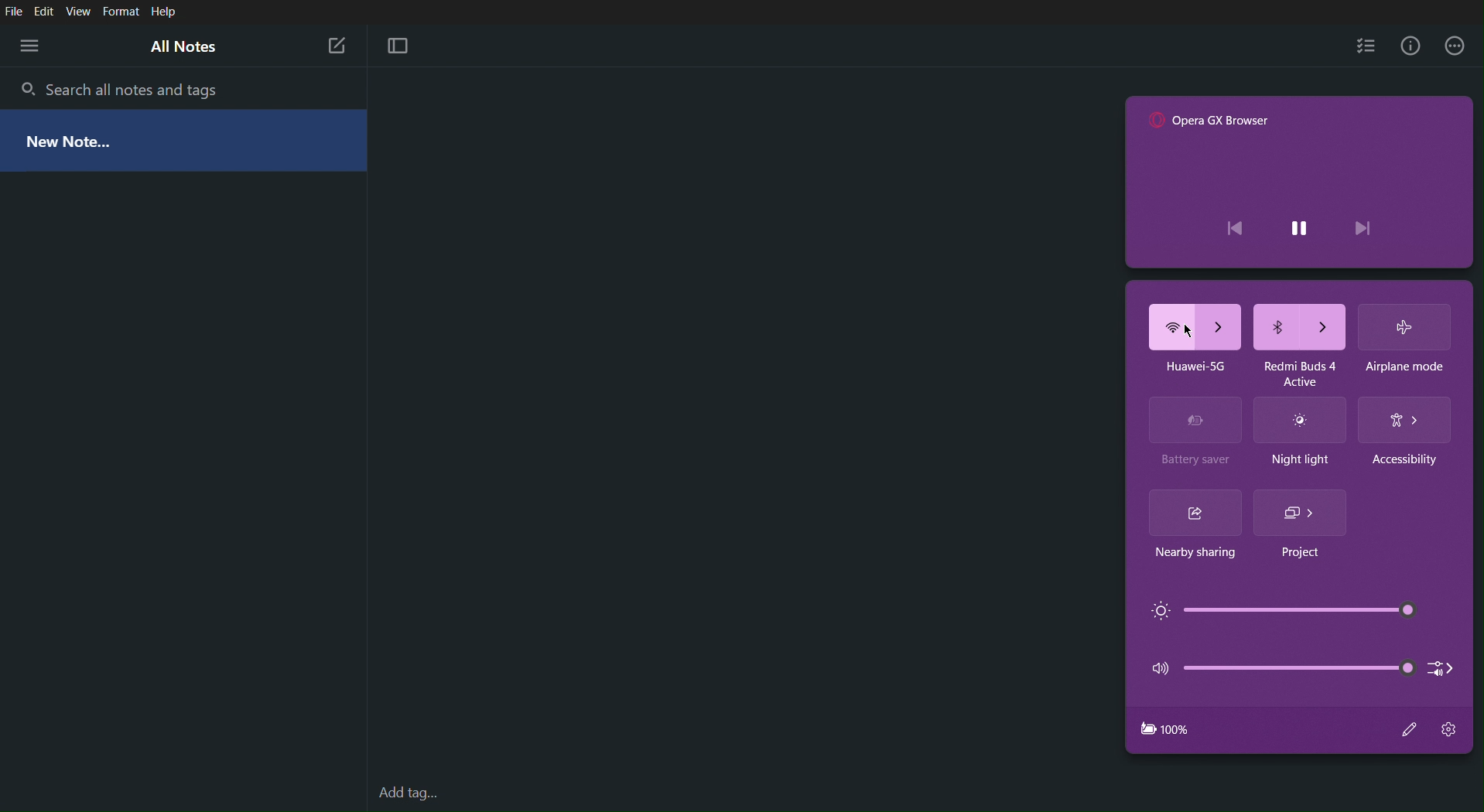 This screenshot has height=812, width=1484. I want to click on Project, so click(1304, 512).